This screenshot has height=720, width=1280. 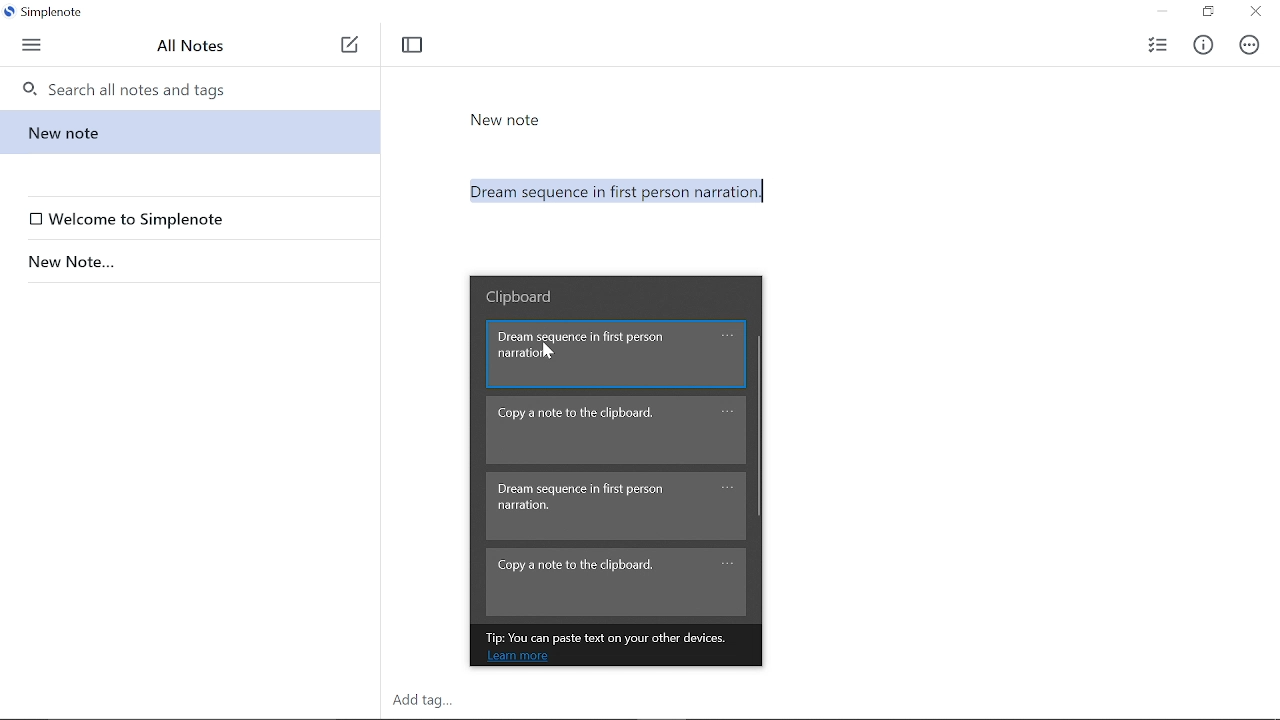 I want to click on Welcome to Simplenote, so click(x=194, y=219).